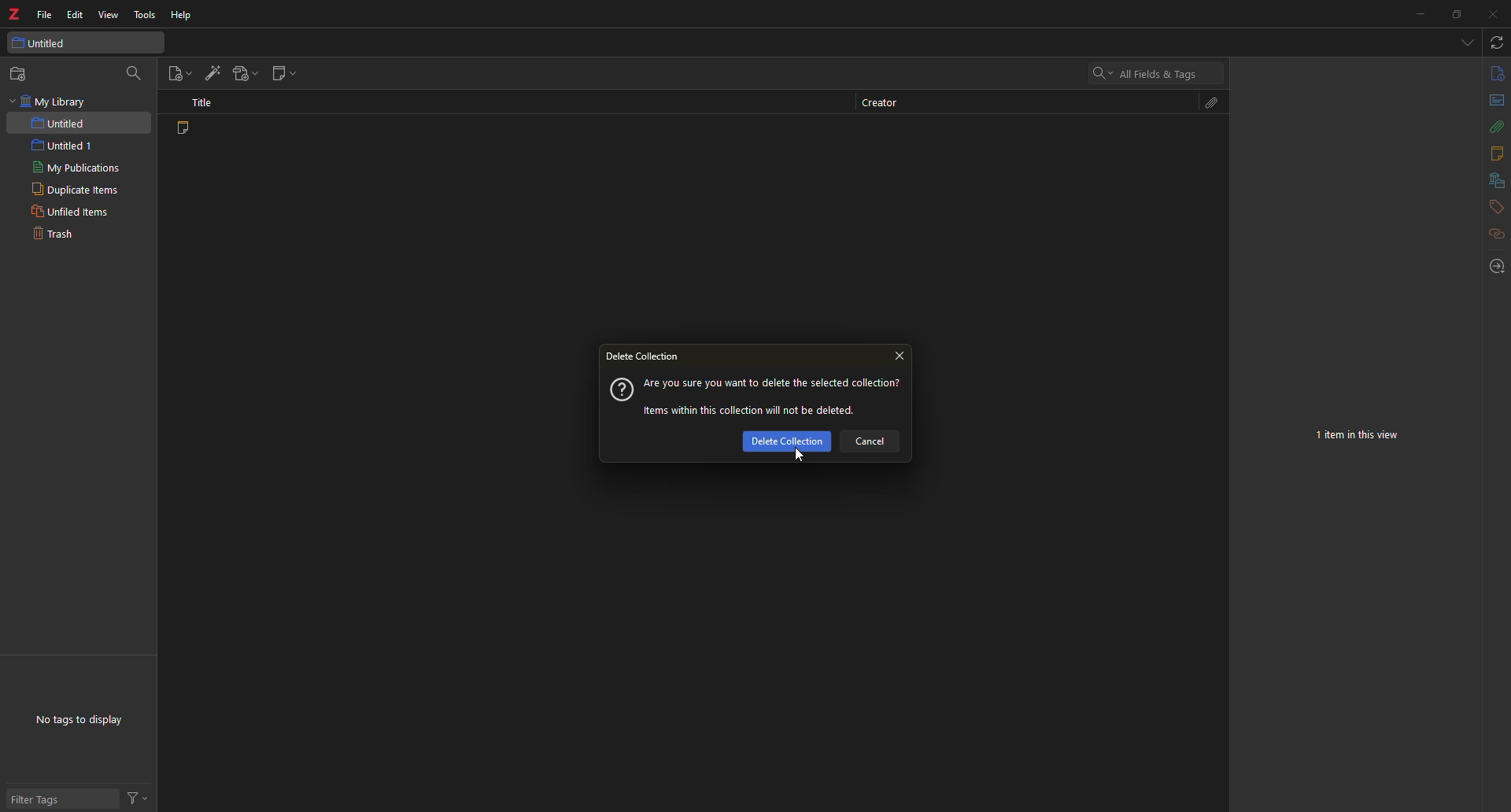 Image resolution: width=1511 pixels, height=812 pixels. Describe the element at coordinates (623, 390) in the screenshot. I see `?` at that location.